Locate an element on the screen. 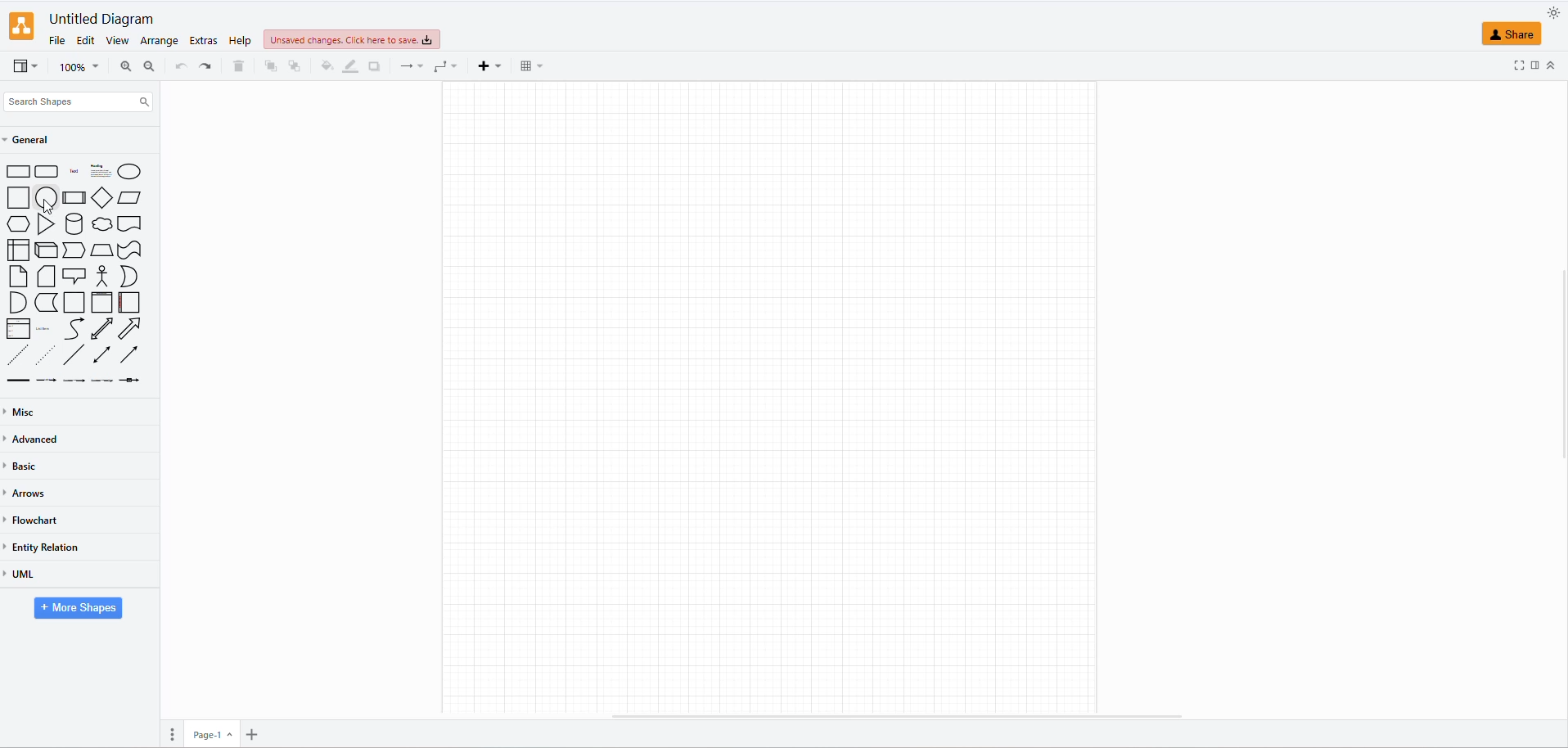 The width and height of the screenshot is (1568, 748). TRAPEZOID is located at coordinates (103, 250).